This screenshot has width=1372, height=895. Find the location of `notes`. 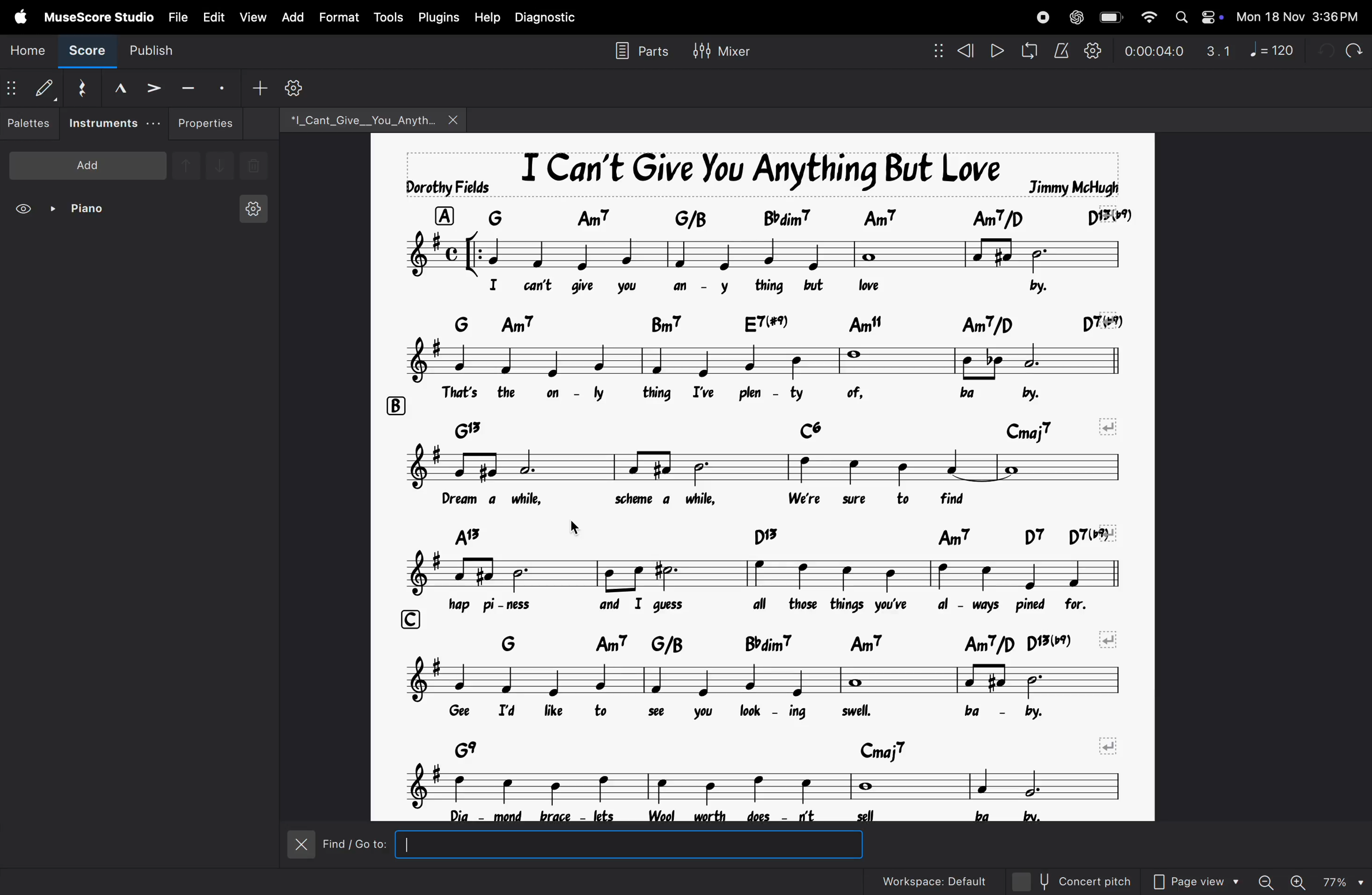

notes is located at coordinates (768, 363).